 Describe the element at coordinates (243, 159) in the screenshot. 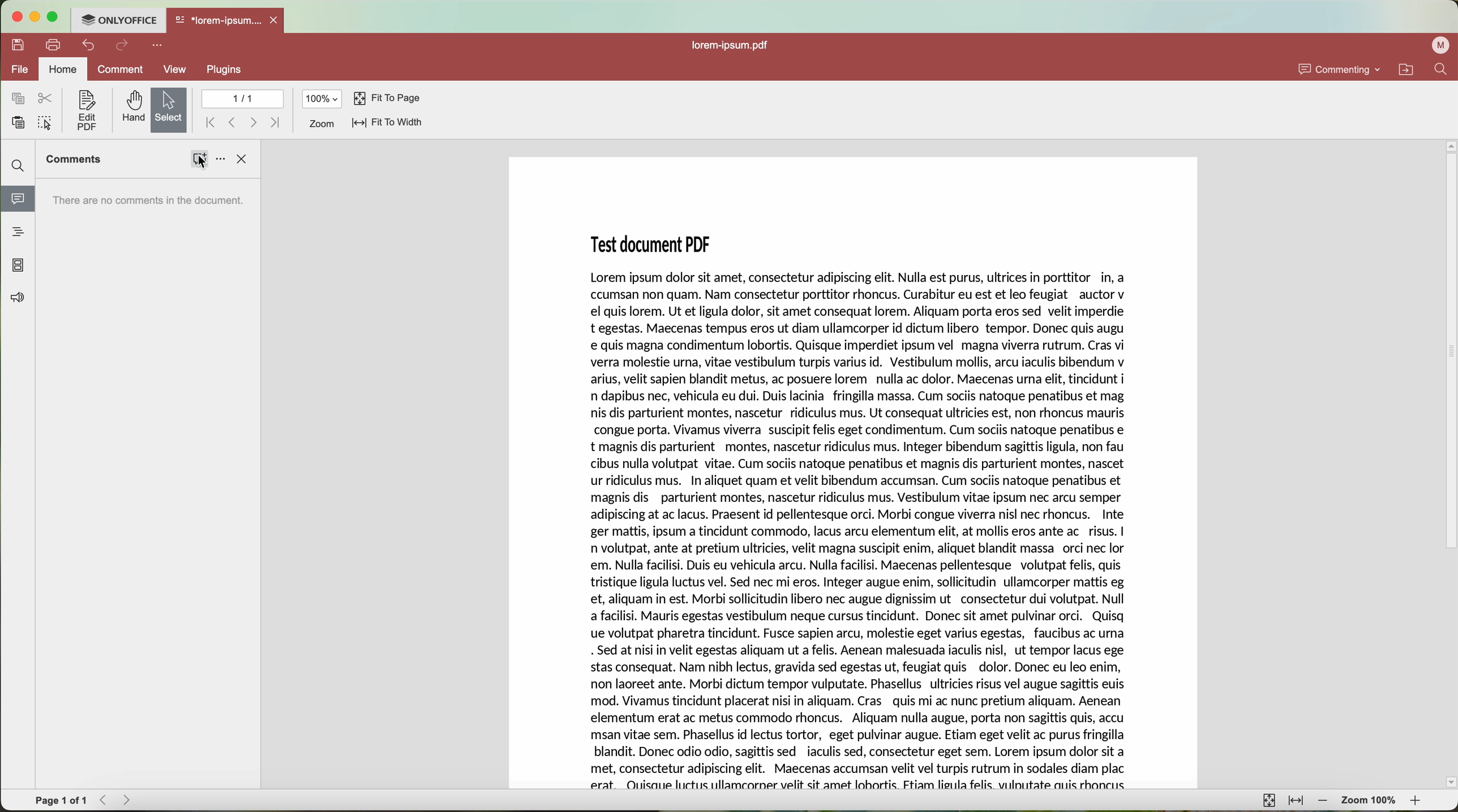

I see `close side bar` at that location.